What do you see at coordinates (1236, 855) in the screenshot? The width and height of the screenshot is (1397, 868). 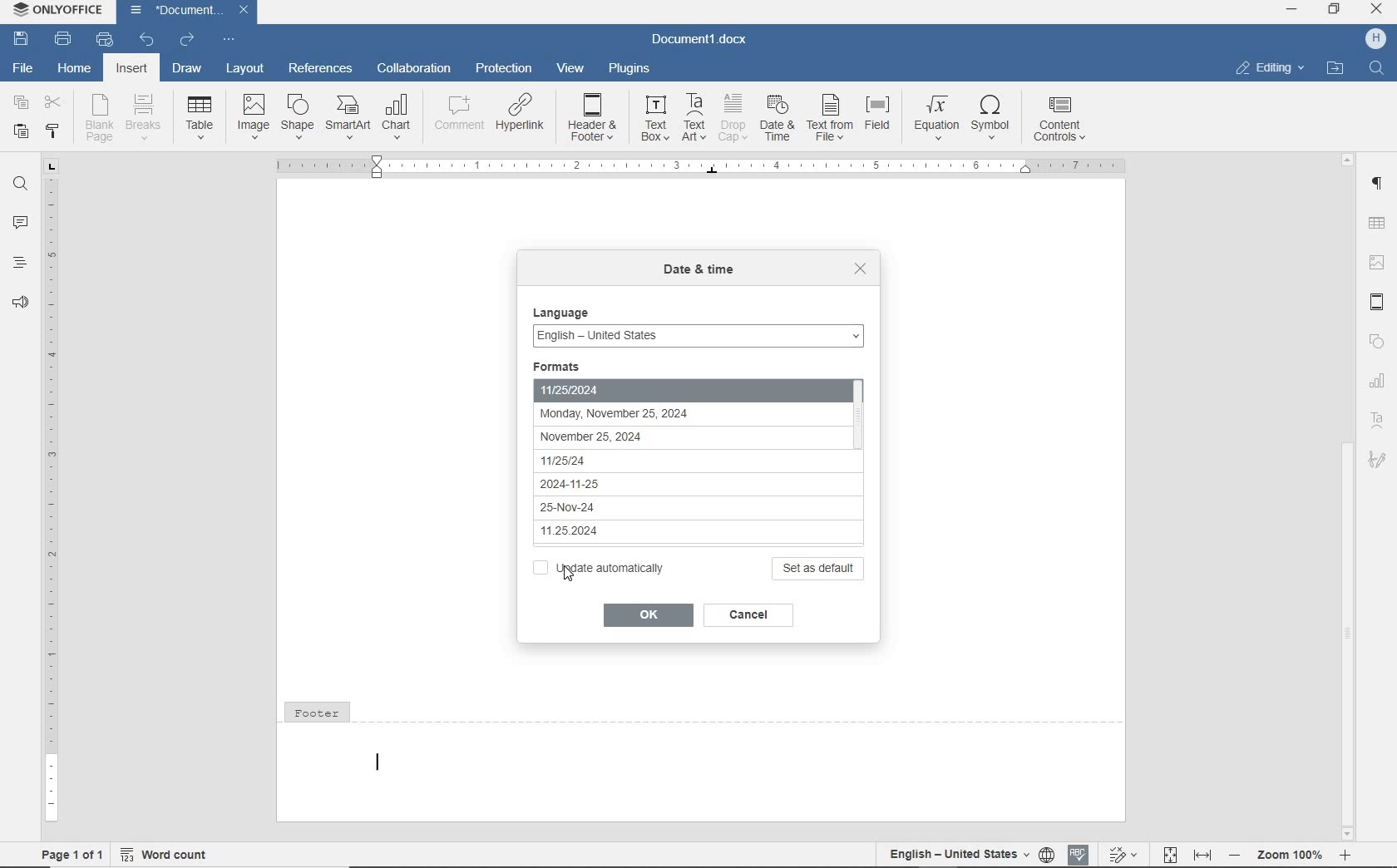 I see `zoom out` at bounding box center [1236, 855].